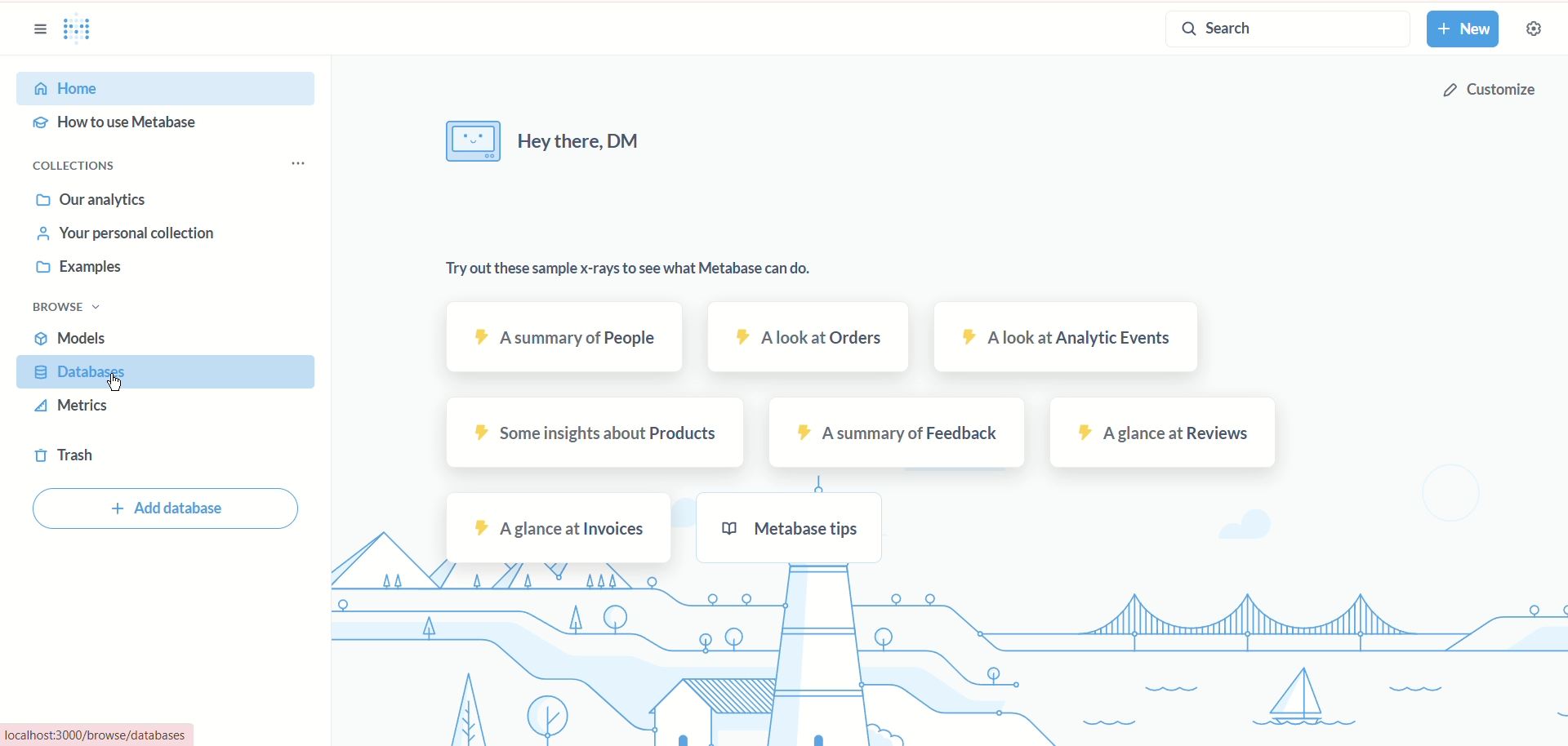 The height and width of the screenshot is (746, 1568). What do you see at coordinates (1064, 338) in the screenshot?
I see `A look at Analytic Events` at bounding box center [1064, 338].